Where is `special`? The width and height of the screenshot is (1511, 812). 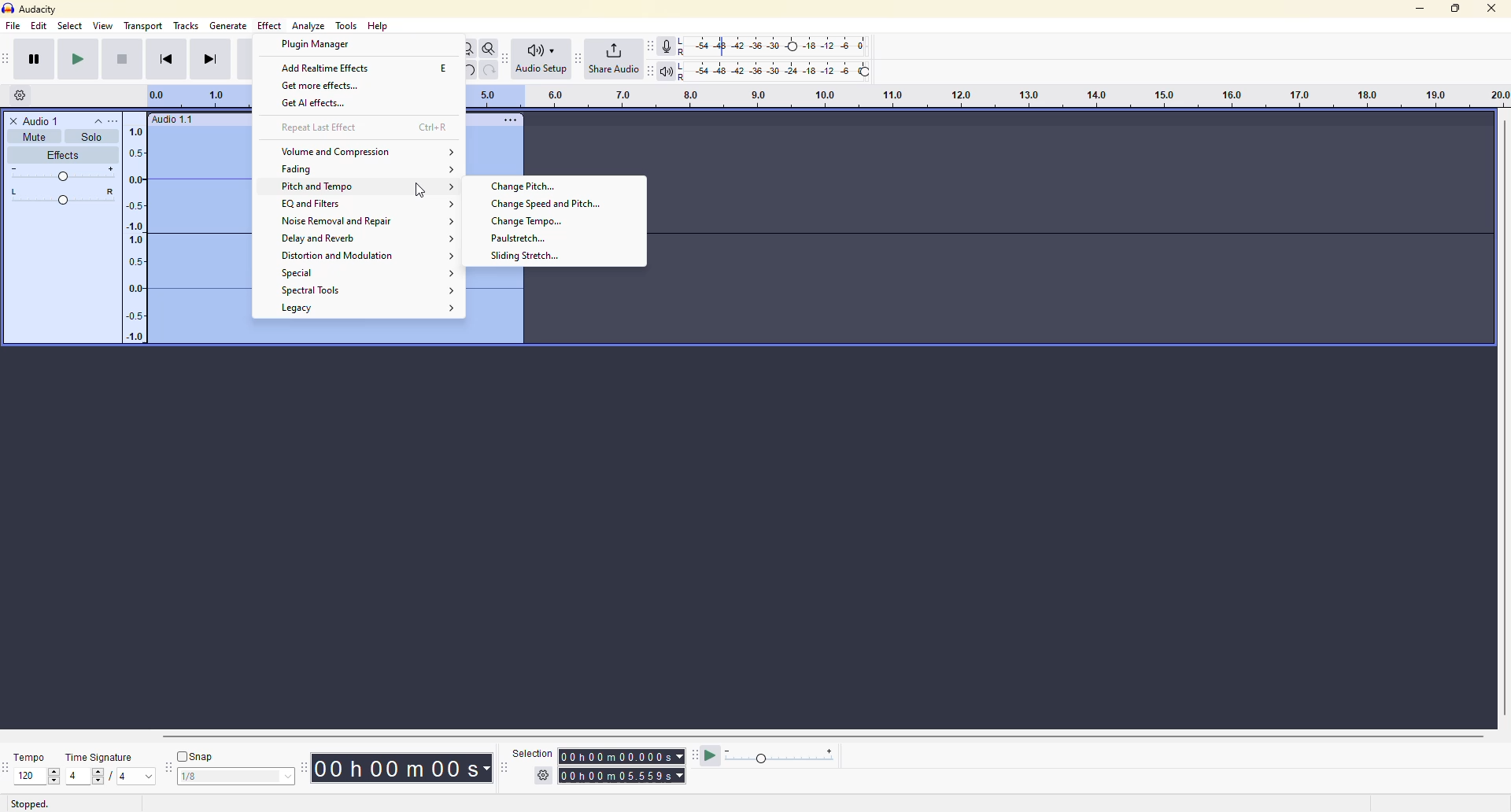
special is located at coordinates (308, 273).